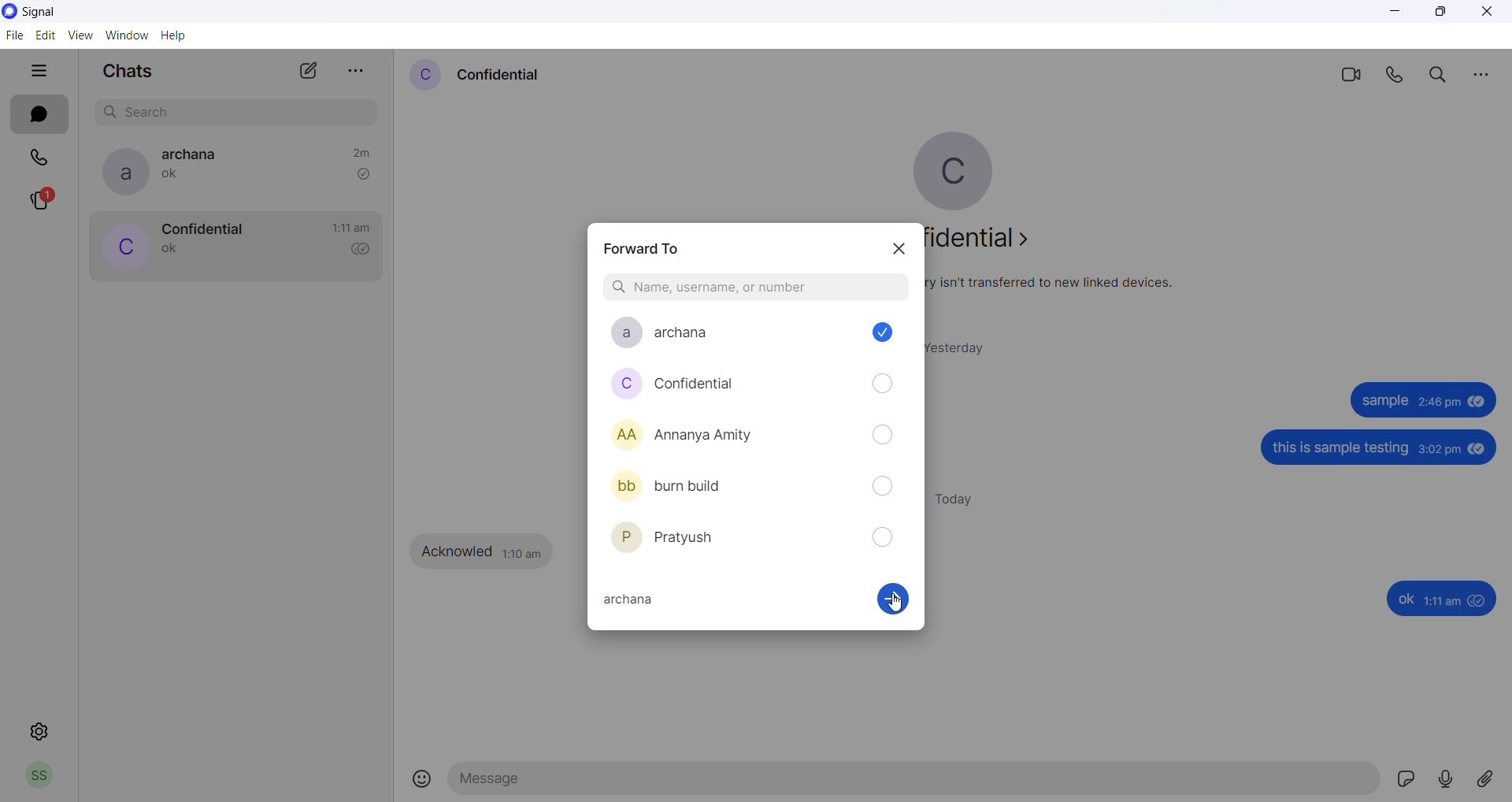 This screenshot has width=1512, height=802. Describe the element at coordinates (130, 35) in the screenshot. I see `window` at that location.